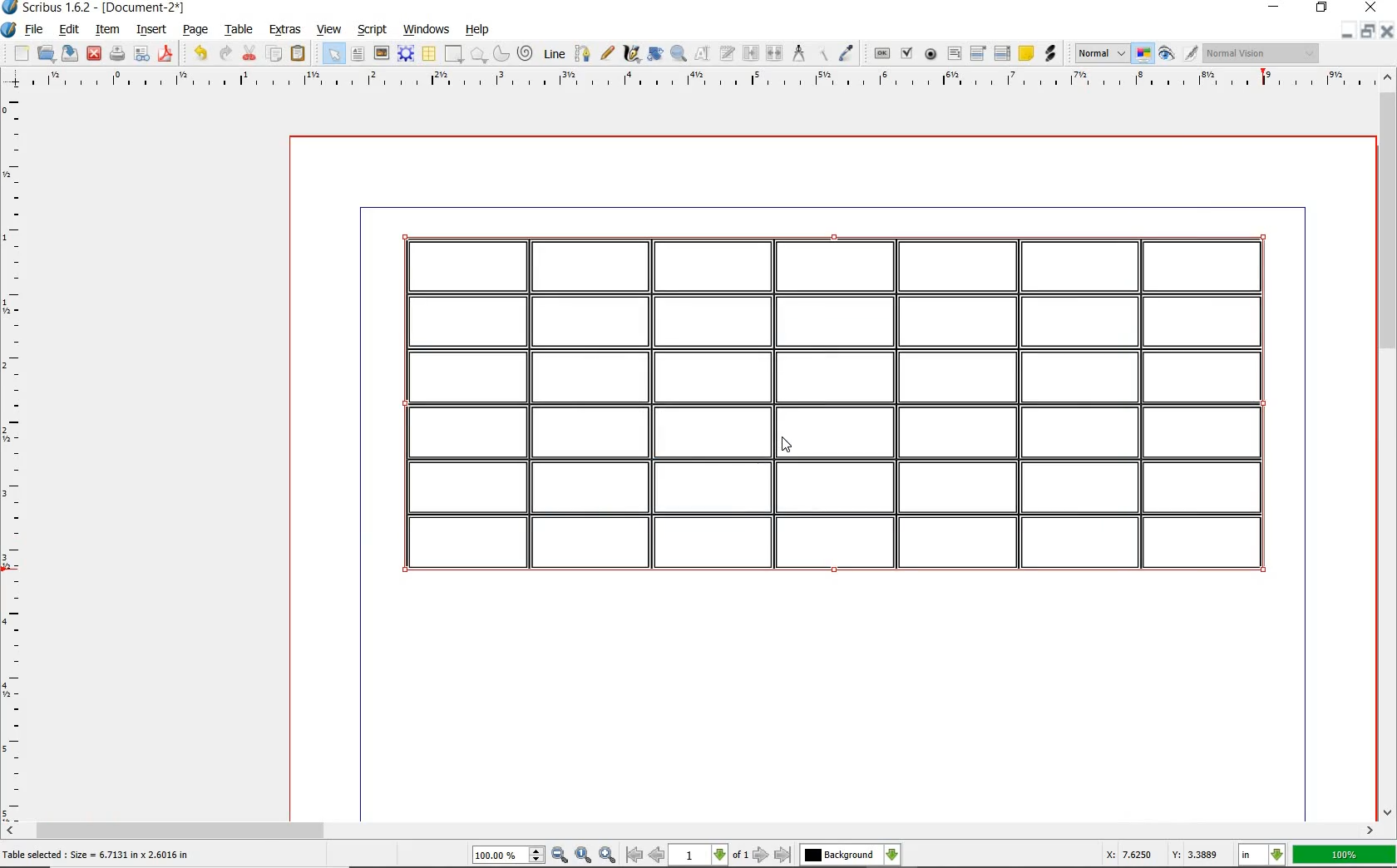  I want to click on calligraphic line, so click(630, 55).